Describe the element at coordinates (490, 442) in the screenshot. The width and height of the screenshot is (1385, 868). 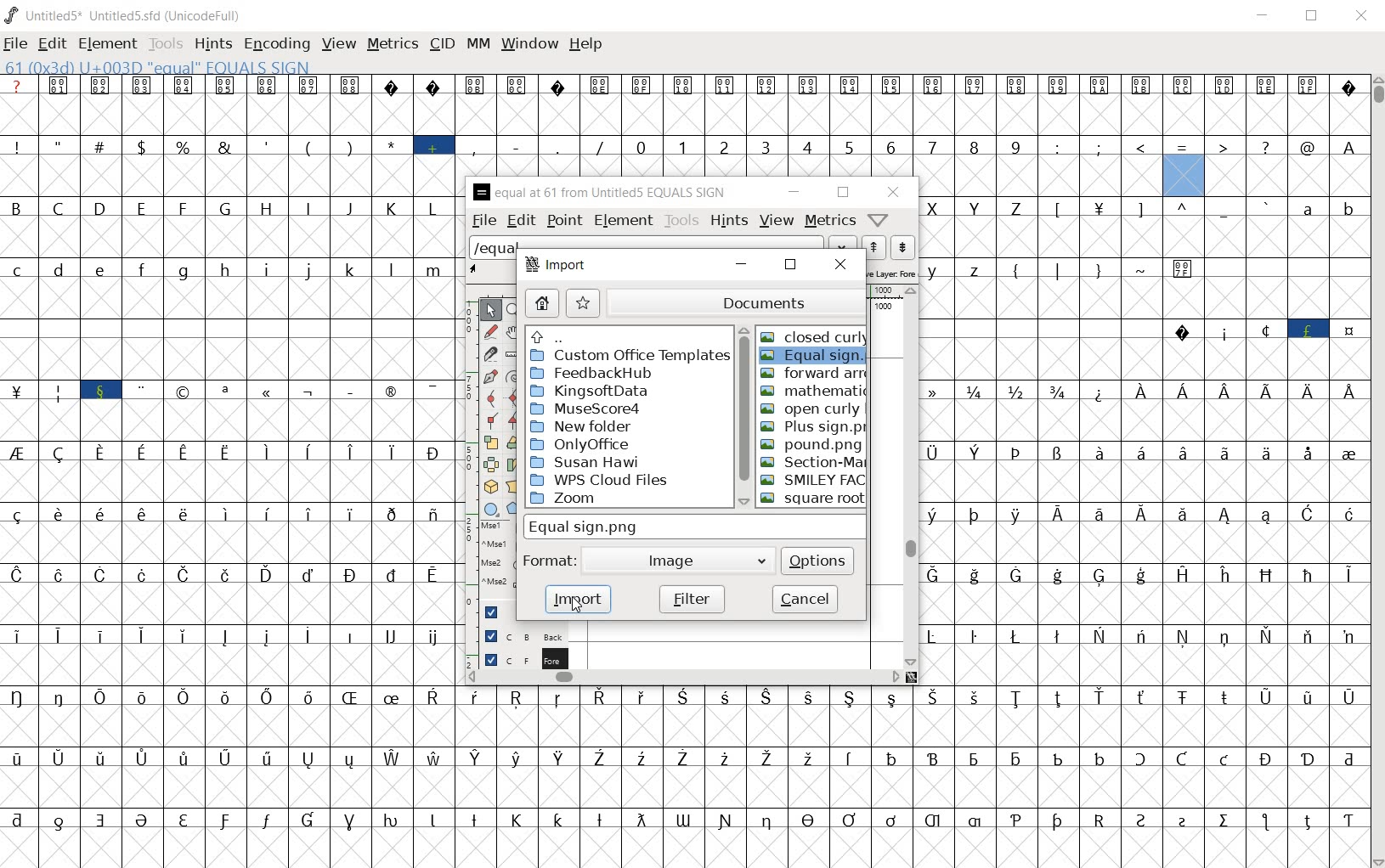
I see `scale the selection` at that location.